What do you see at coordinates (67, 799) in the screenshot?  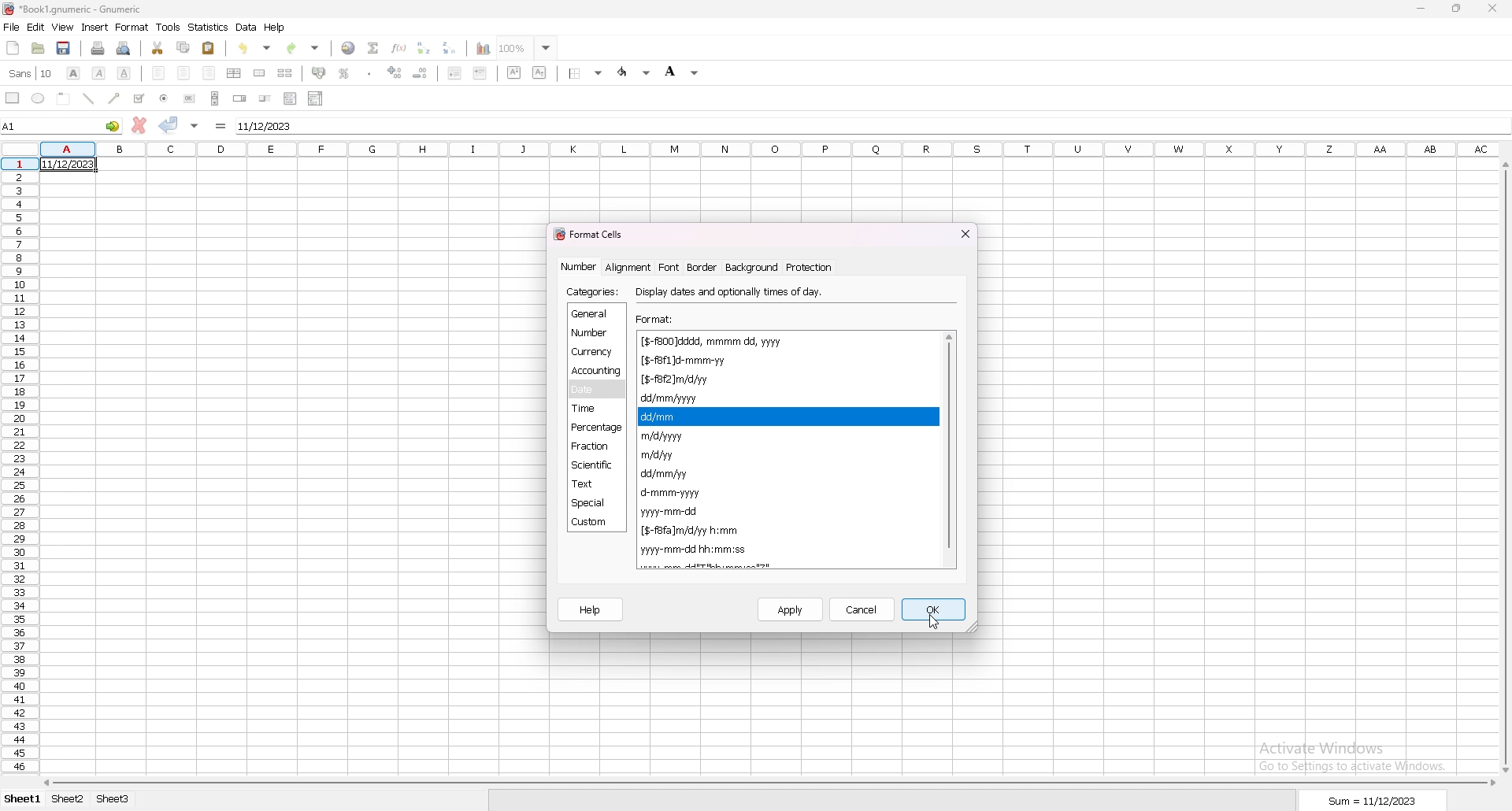 I see `sheet 2` at bounding box center [67, 799].